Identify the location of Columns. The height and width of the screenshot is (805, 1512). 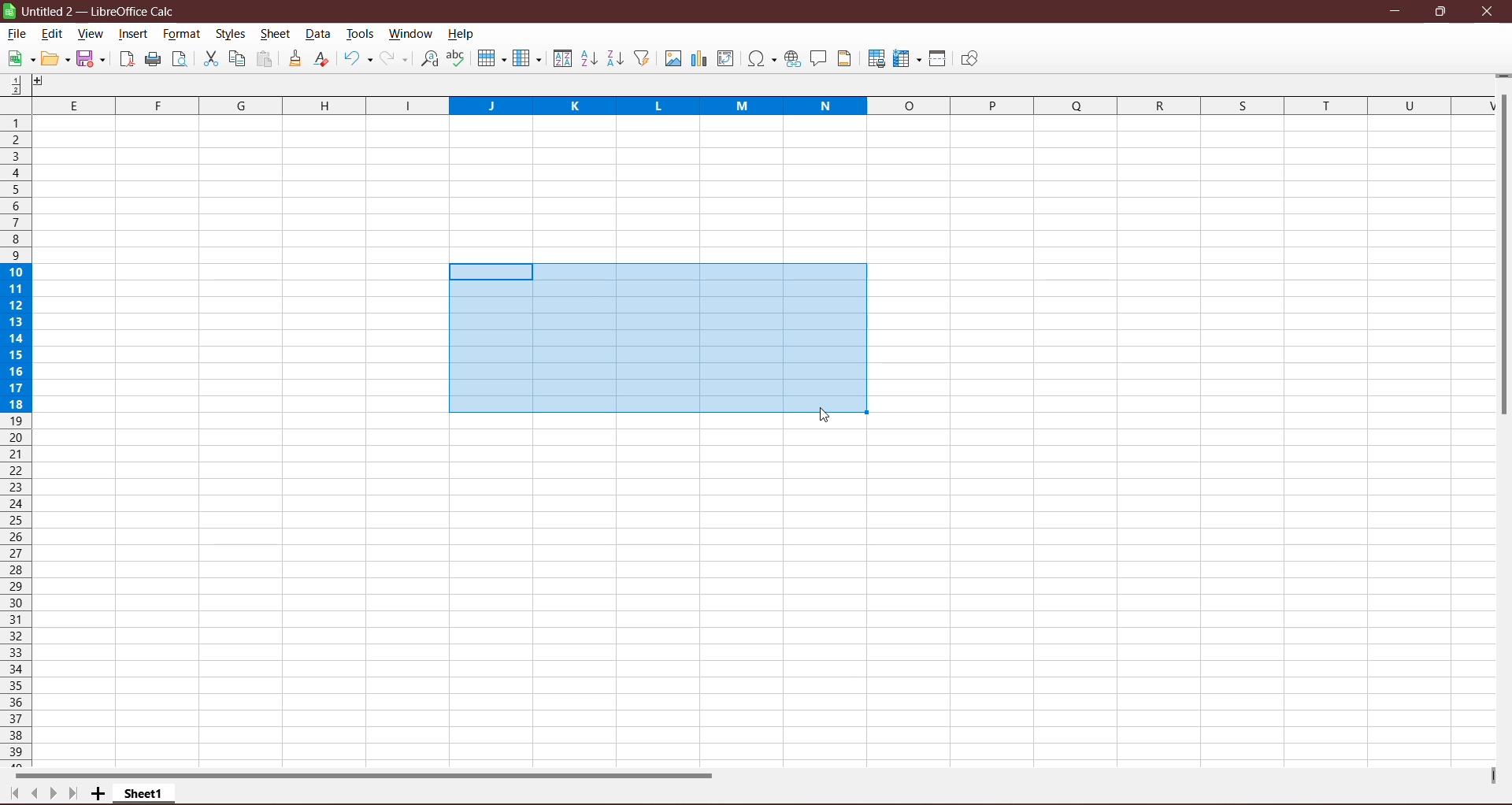
(749, 104).